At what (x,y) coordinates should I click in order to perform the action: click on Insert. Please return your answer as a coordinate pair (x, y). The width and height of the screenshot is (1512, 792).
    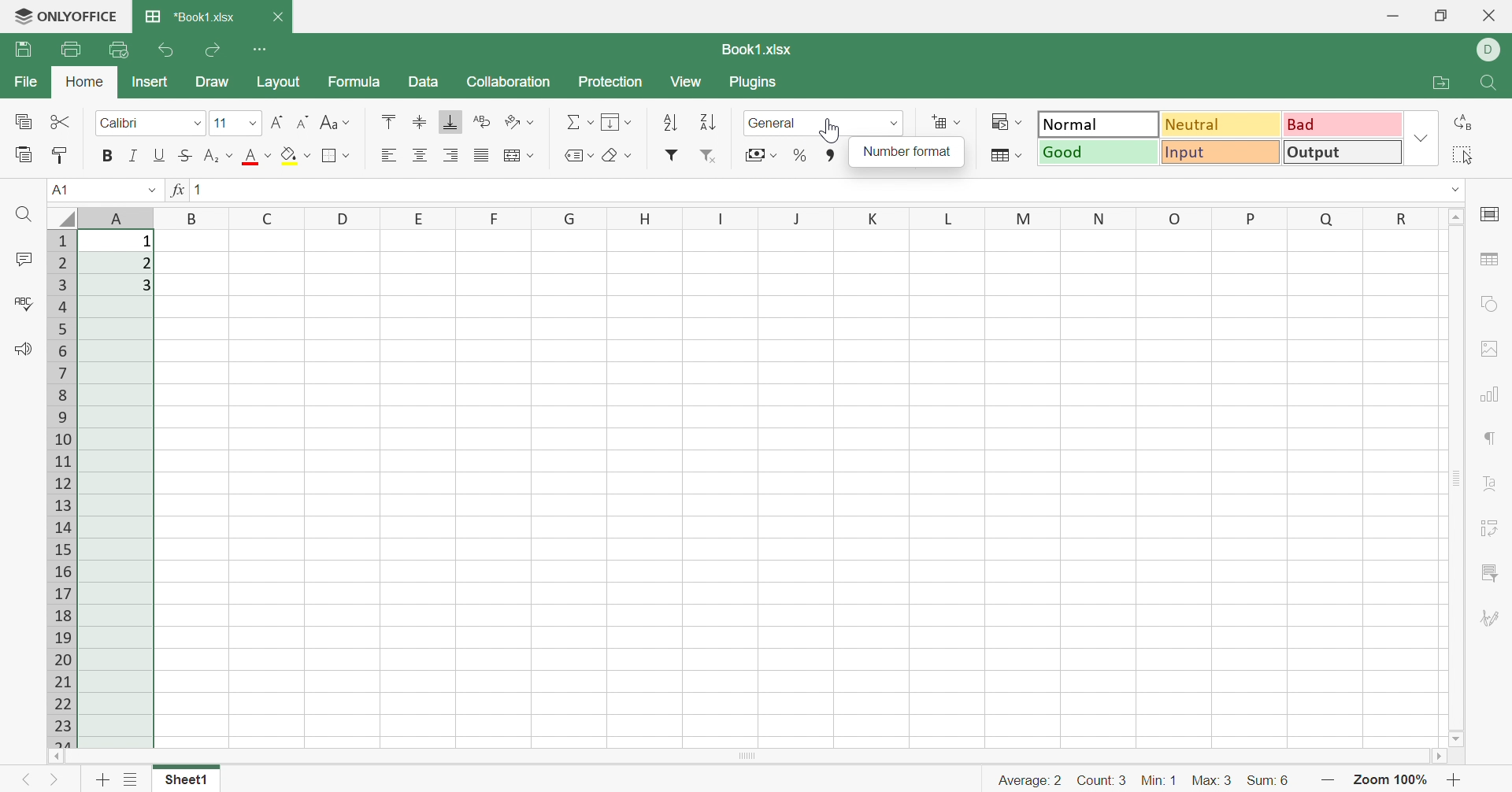
    Looking at the image, I should click on (150, 81).